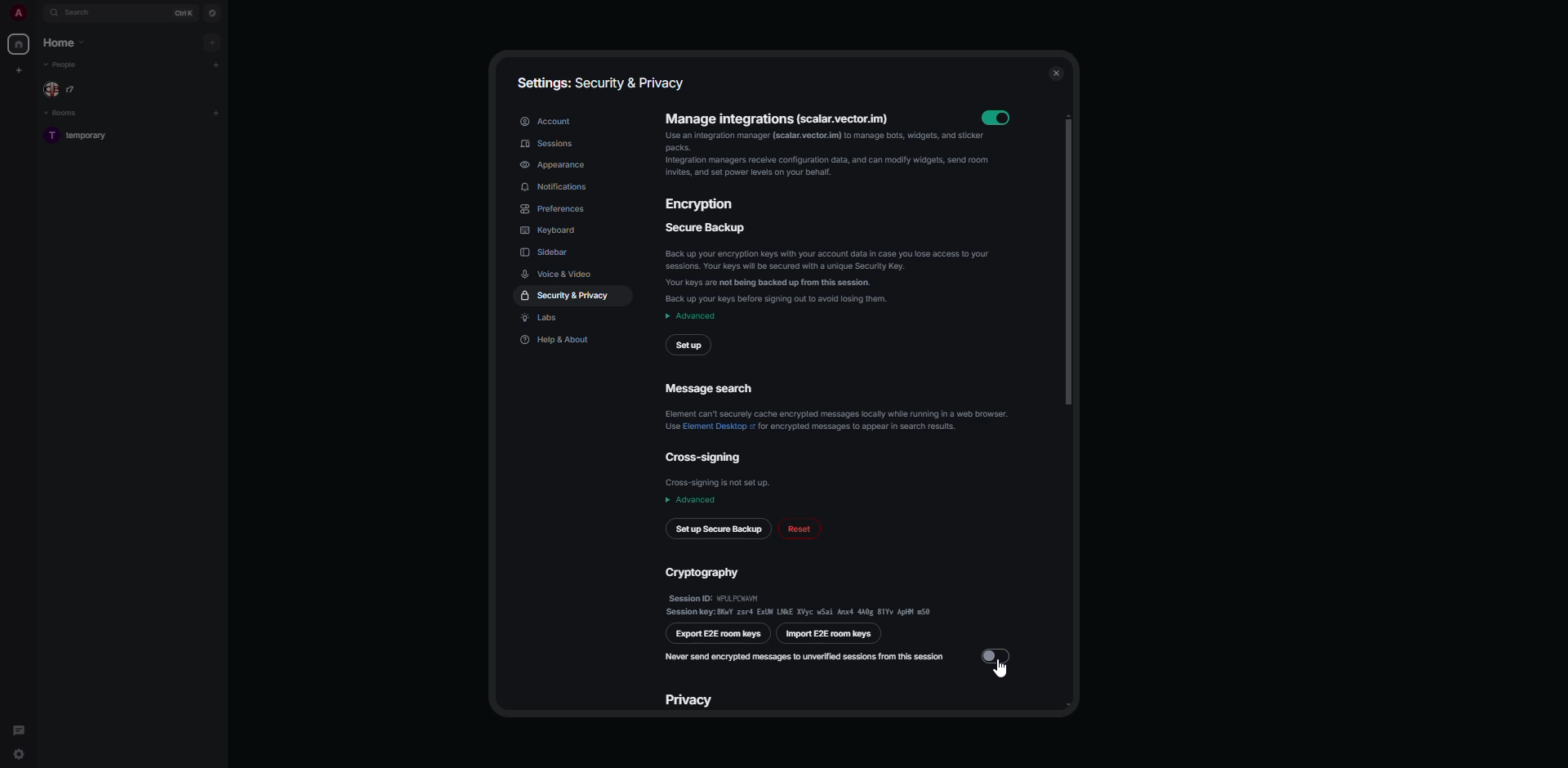  What do you see at coordinates (84, 136) in the screenshot?
I see `room` at bounding box center [84, 136].